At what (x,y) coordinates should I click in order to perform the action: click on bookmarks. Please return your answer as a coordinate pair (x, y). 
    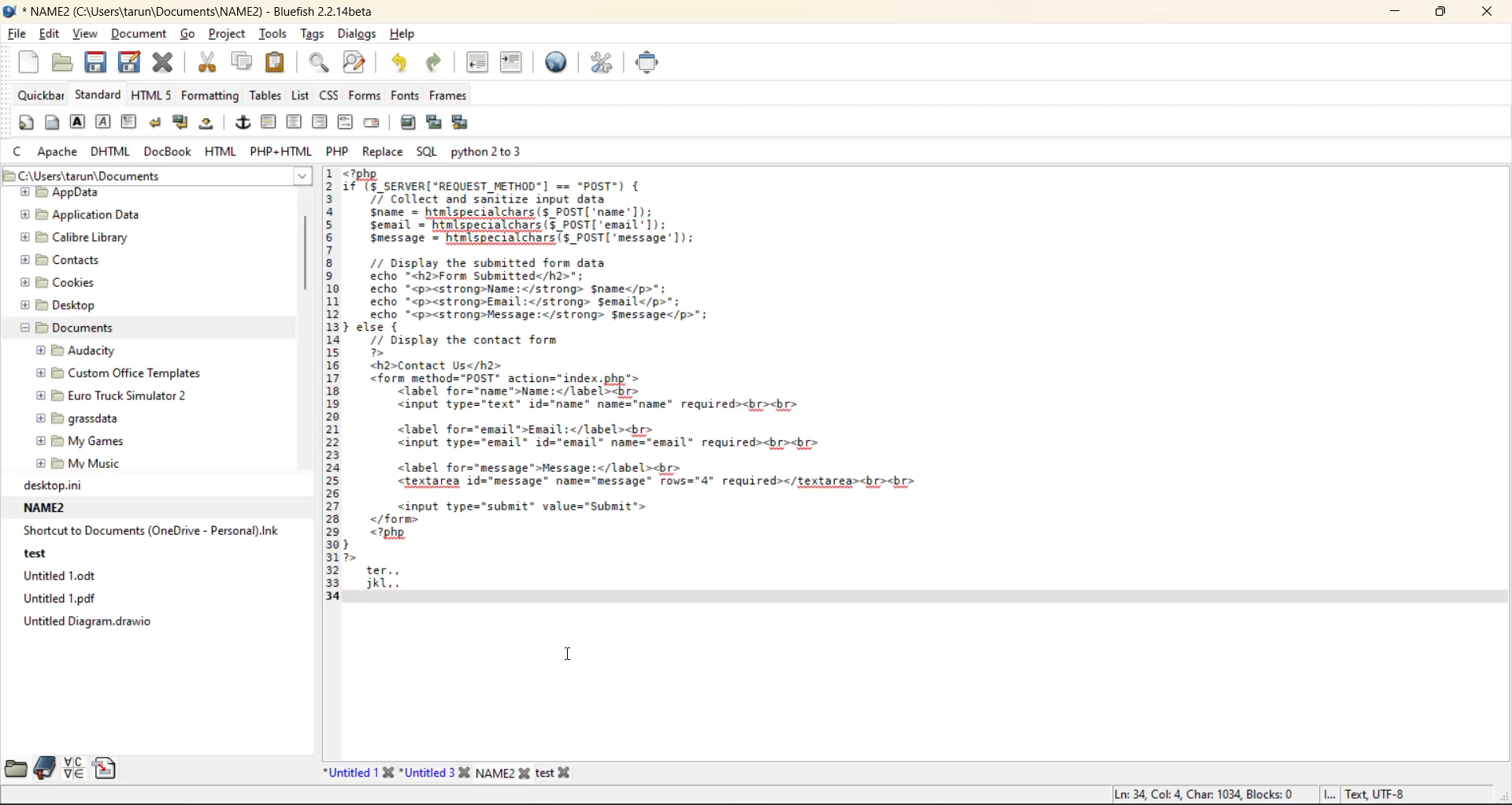
    Looking at the image, I should click on (43, 766).